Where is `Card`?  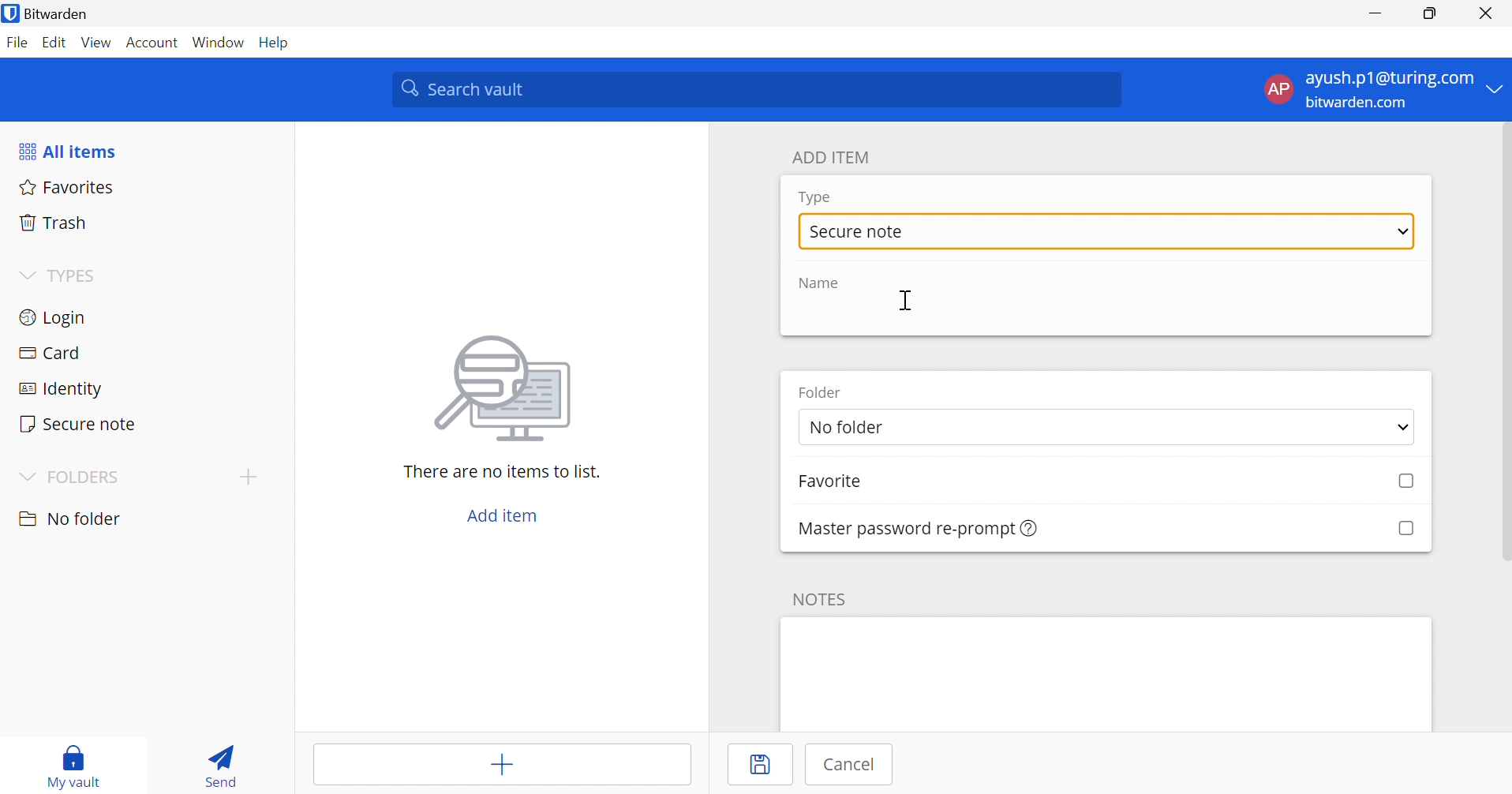 Card is located at coordinates (54, 353).